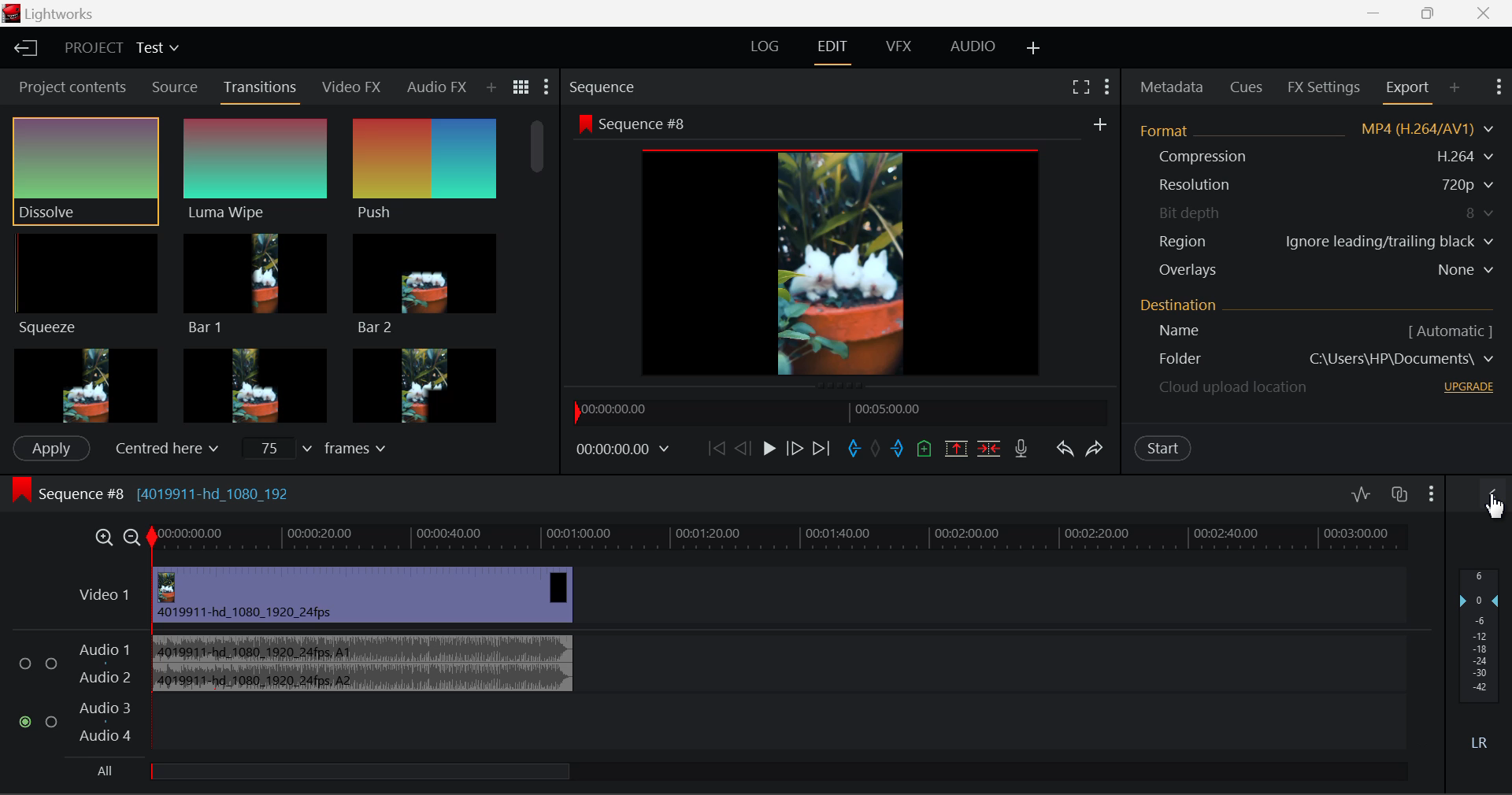  Describe the element at coordinates (120, 46) in the screenshot. I see `Project Title` at that location.